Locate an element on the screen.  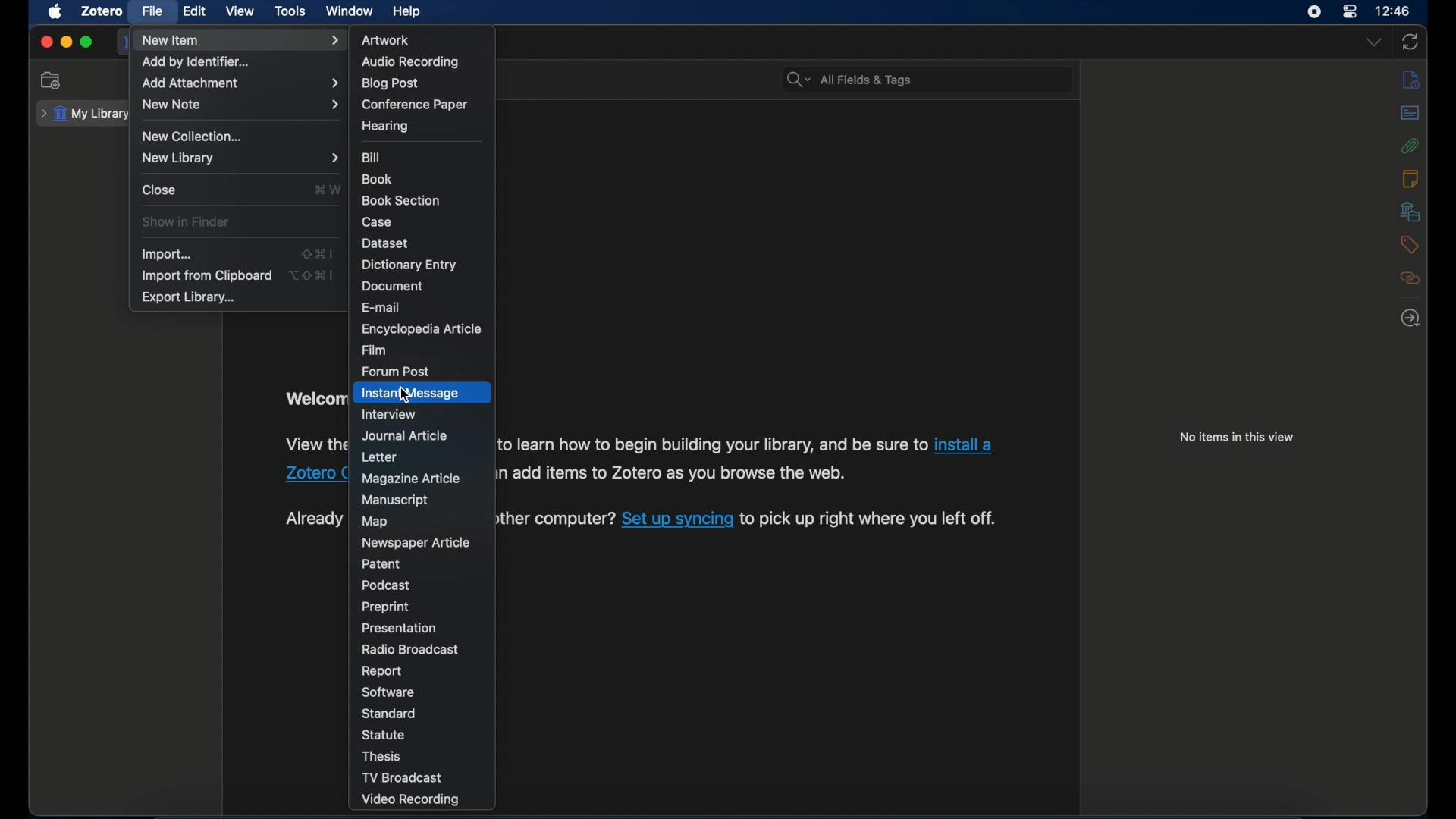
podcast is located at coordinates (383, 585).